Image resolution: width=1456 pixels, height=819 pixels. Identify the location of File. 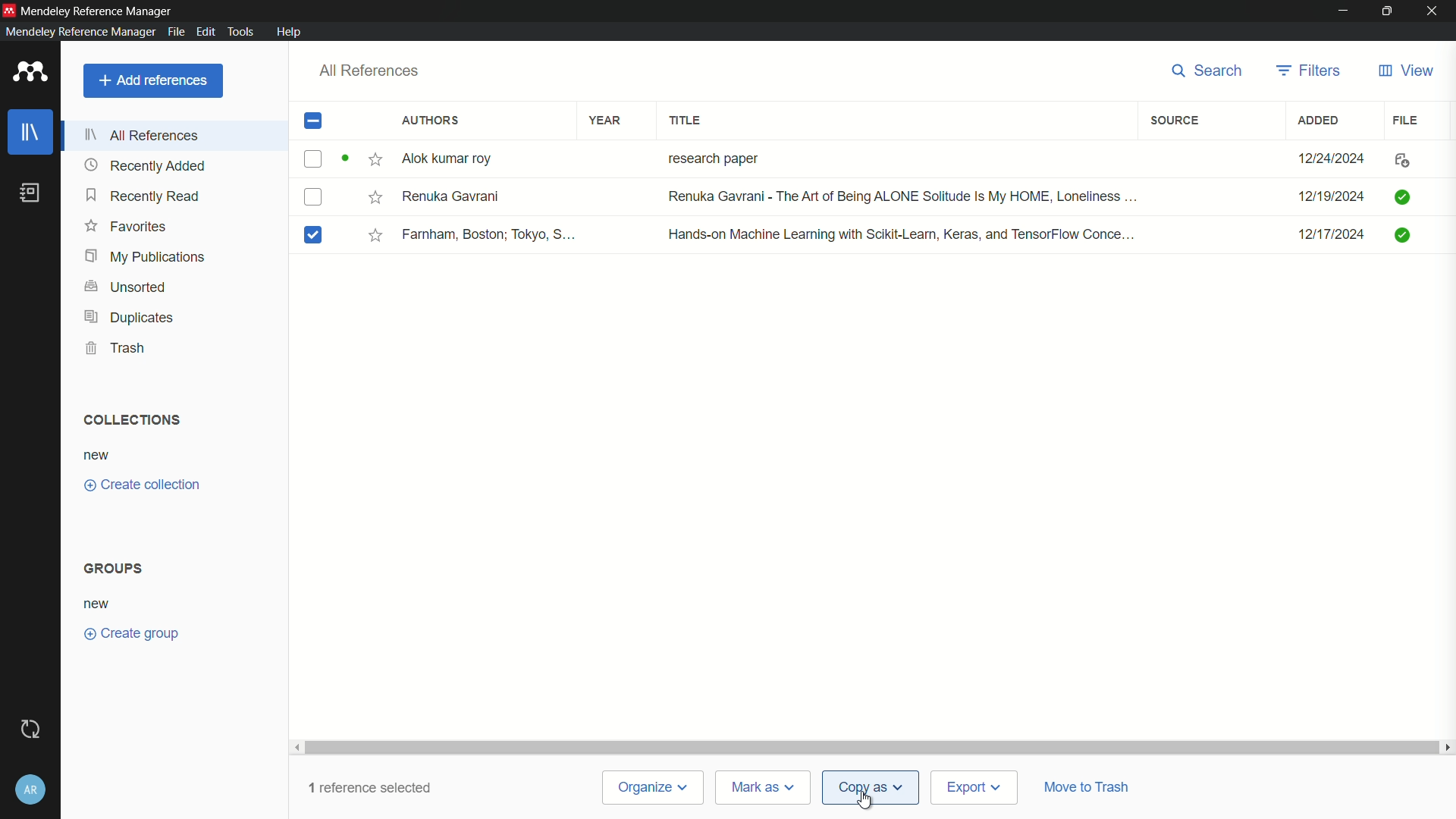
(1407, 158).